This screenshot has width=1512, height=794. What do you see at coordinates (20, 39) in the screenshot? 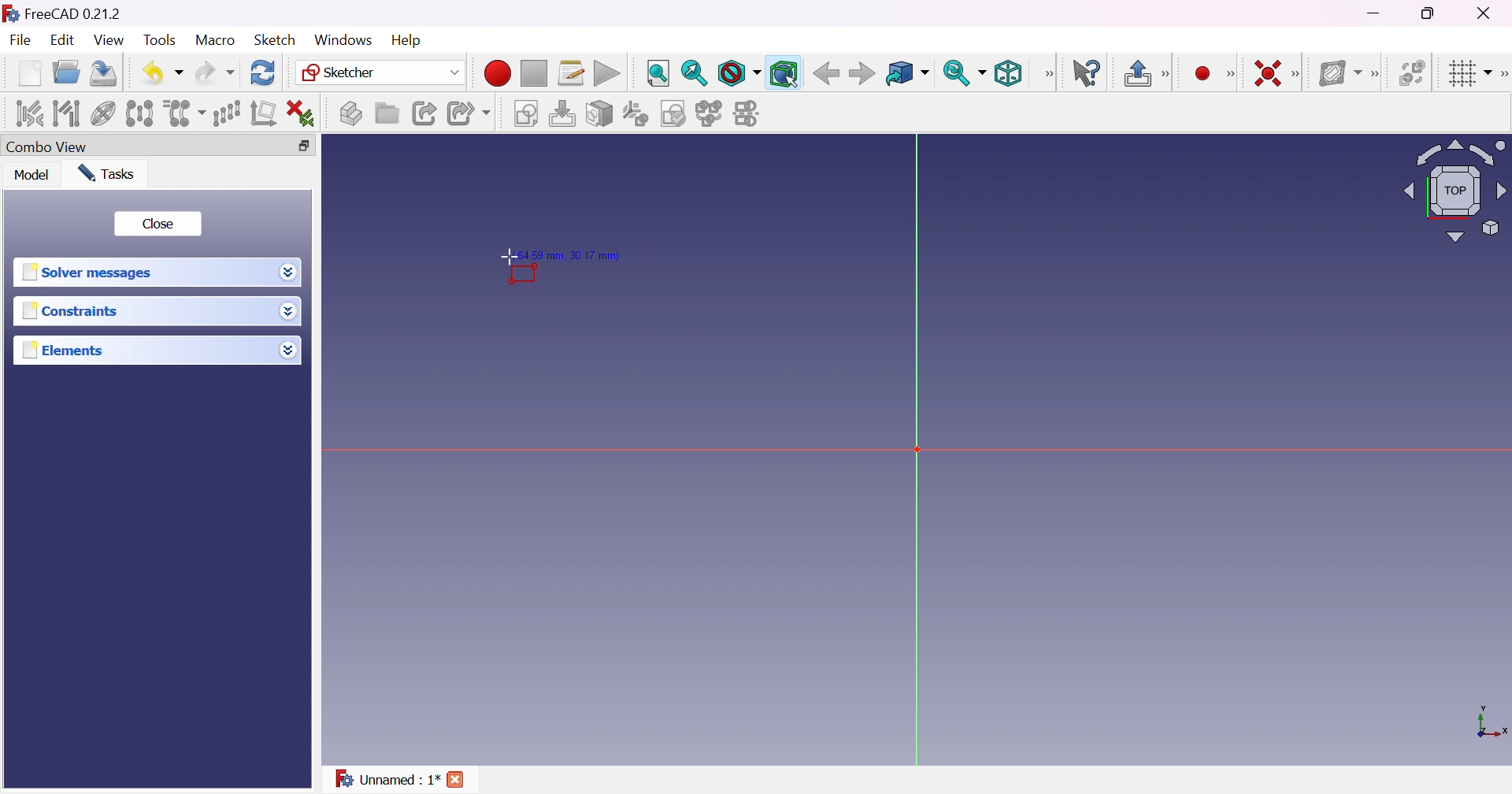
I see `File` at bounding box center [20, 39].